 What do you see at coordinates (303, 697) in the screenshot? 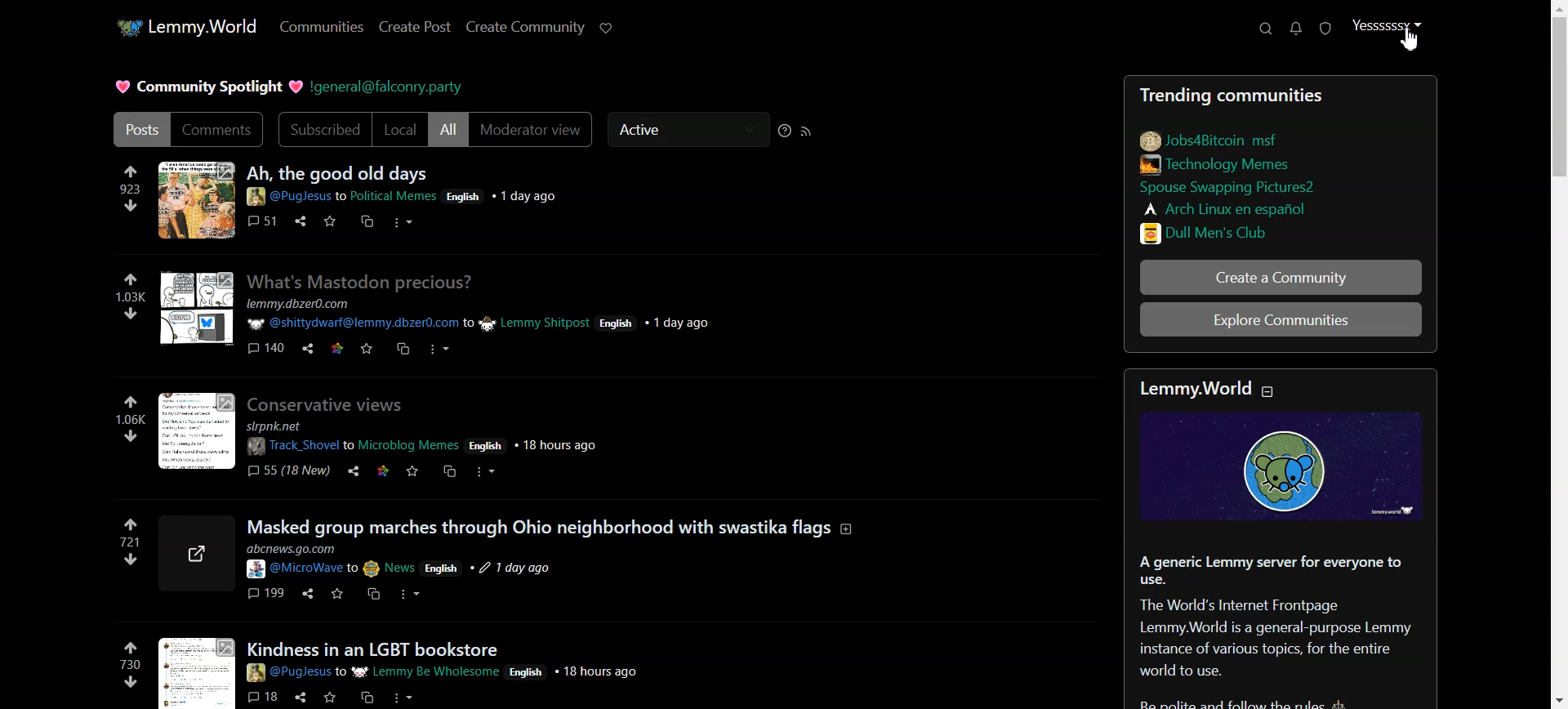
I see `share` at bounding box center [303, 697].